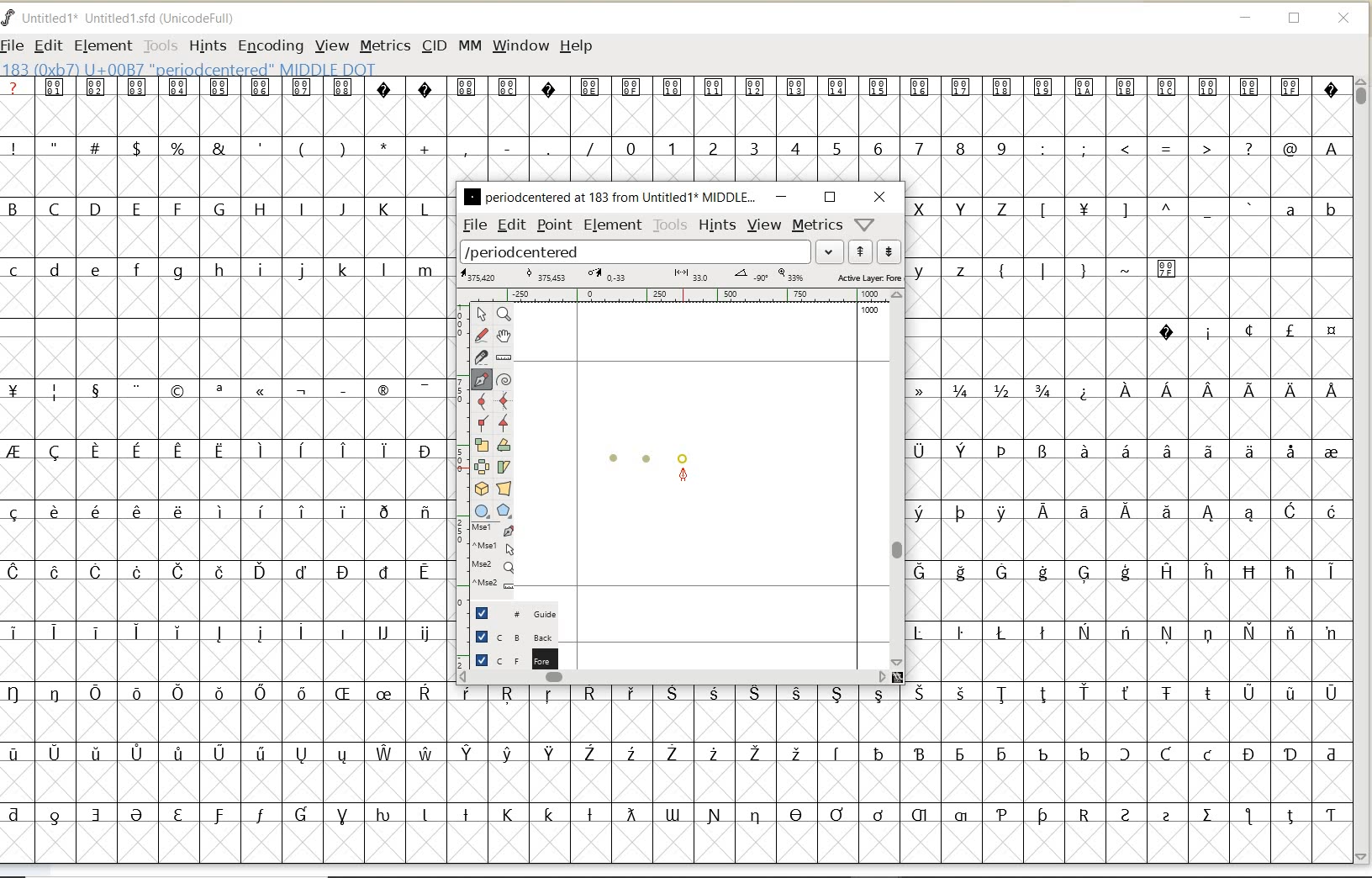  I want to click on SCROLLBAR, so click(1364, 470).